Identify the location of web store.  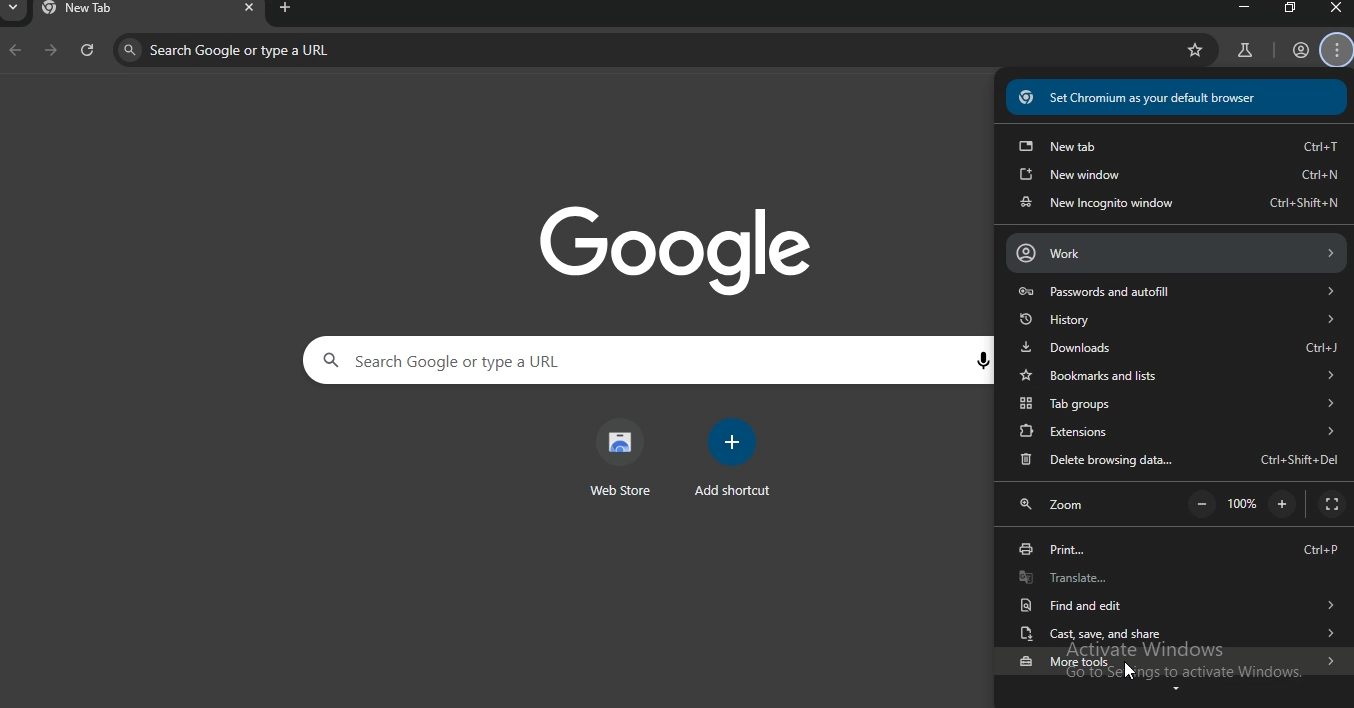
(622, 460).